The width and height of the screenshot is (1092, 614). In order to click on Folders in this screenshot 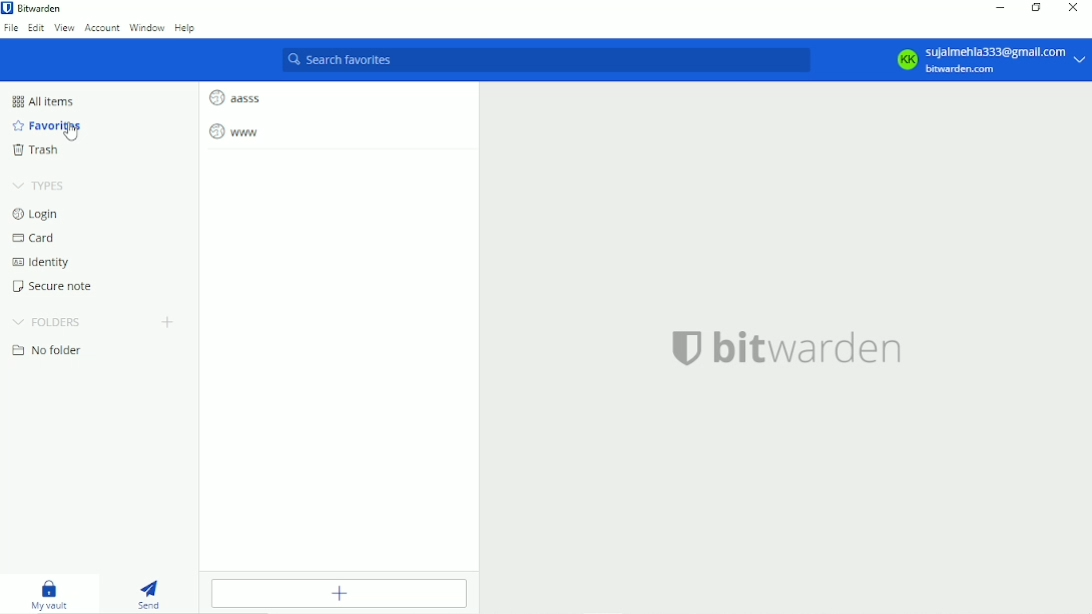, I will do `click(49, 320)`.